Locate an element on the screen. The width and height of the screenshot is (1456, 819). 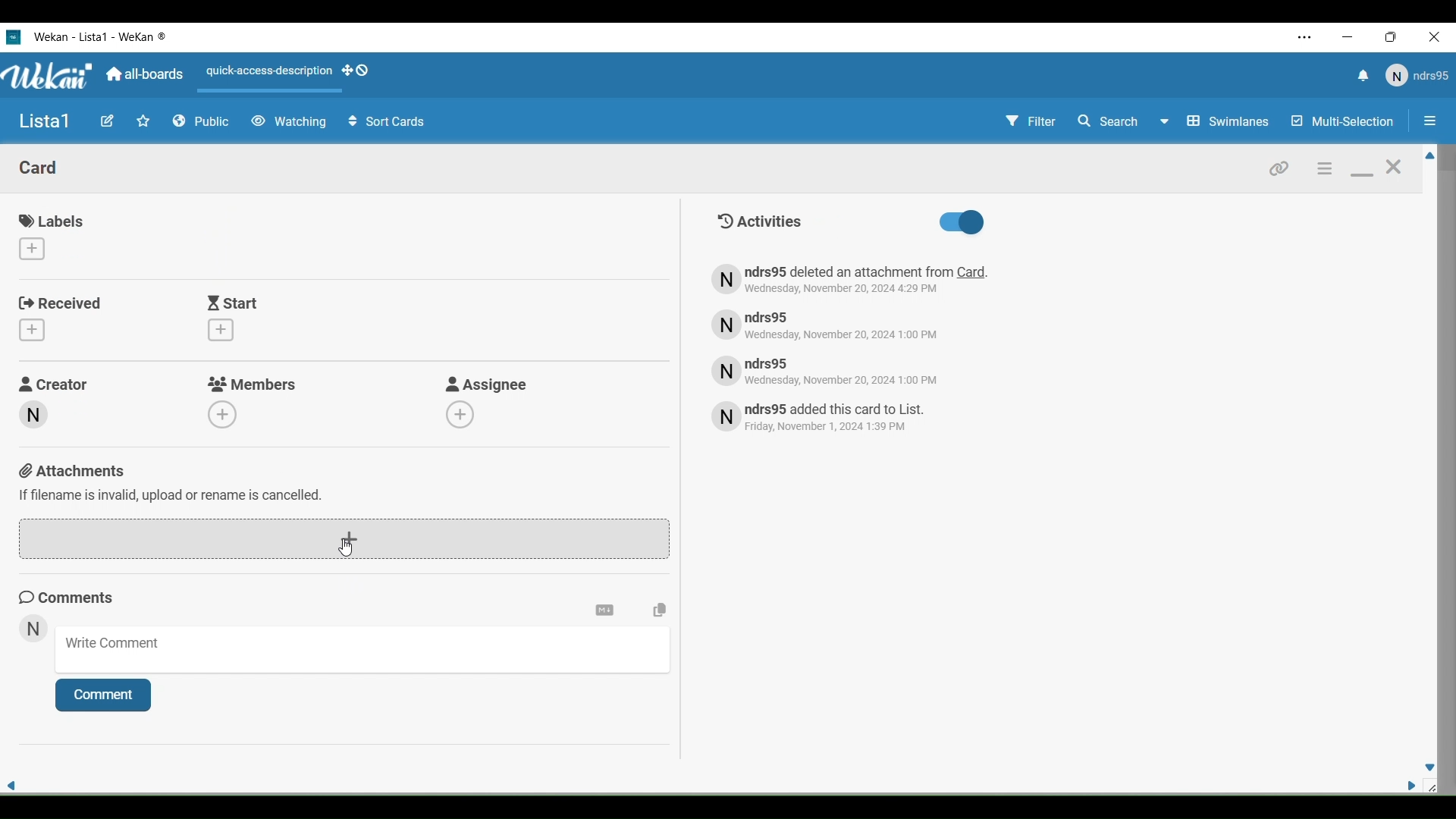
Add start is located at coordinates (221, 330).